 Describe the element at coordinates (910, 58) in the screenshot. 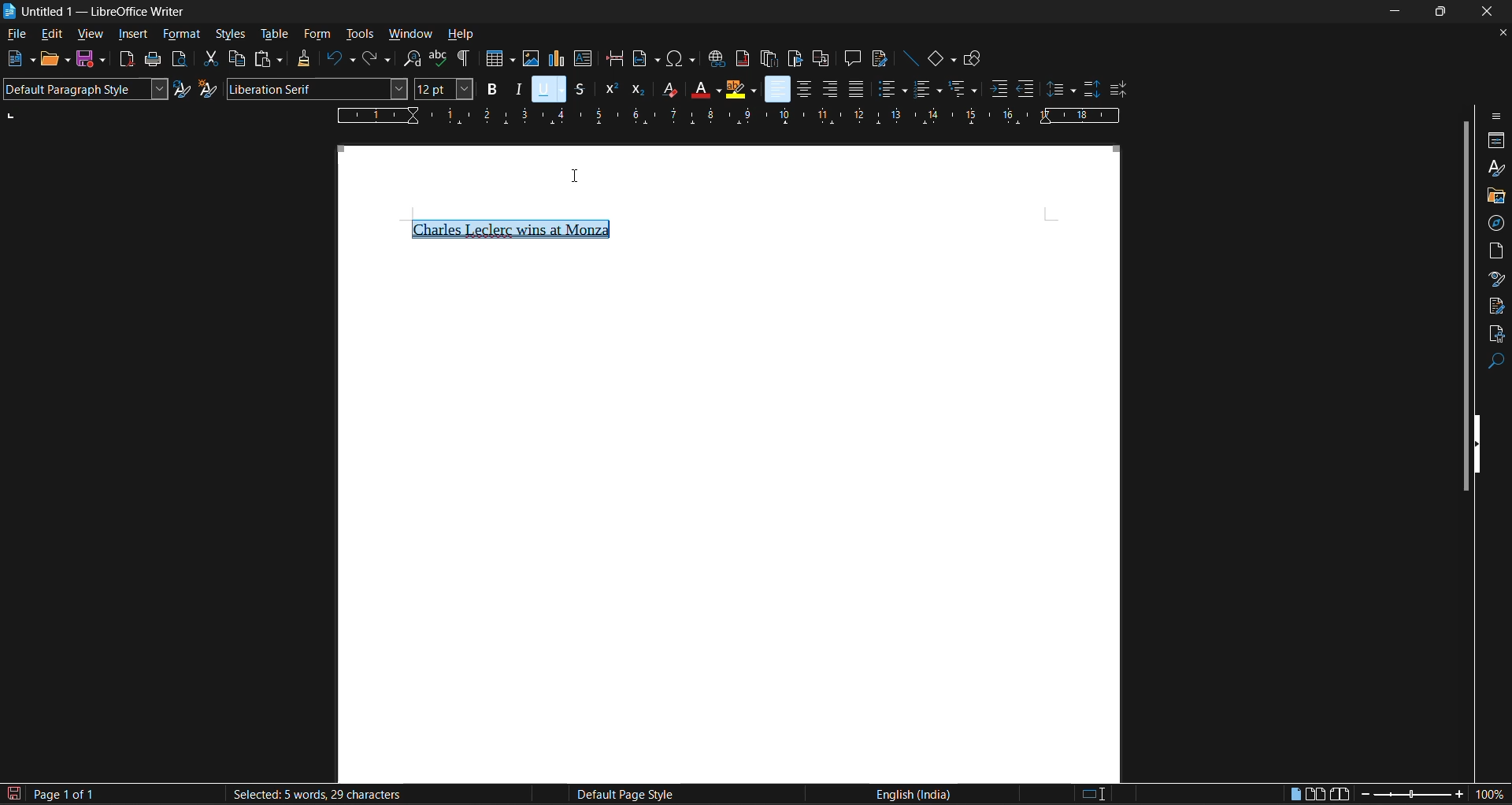

I see `insert line` at that location.